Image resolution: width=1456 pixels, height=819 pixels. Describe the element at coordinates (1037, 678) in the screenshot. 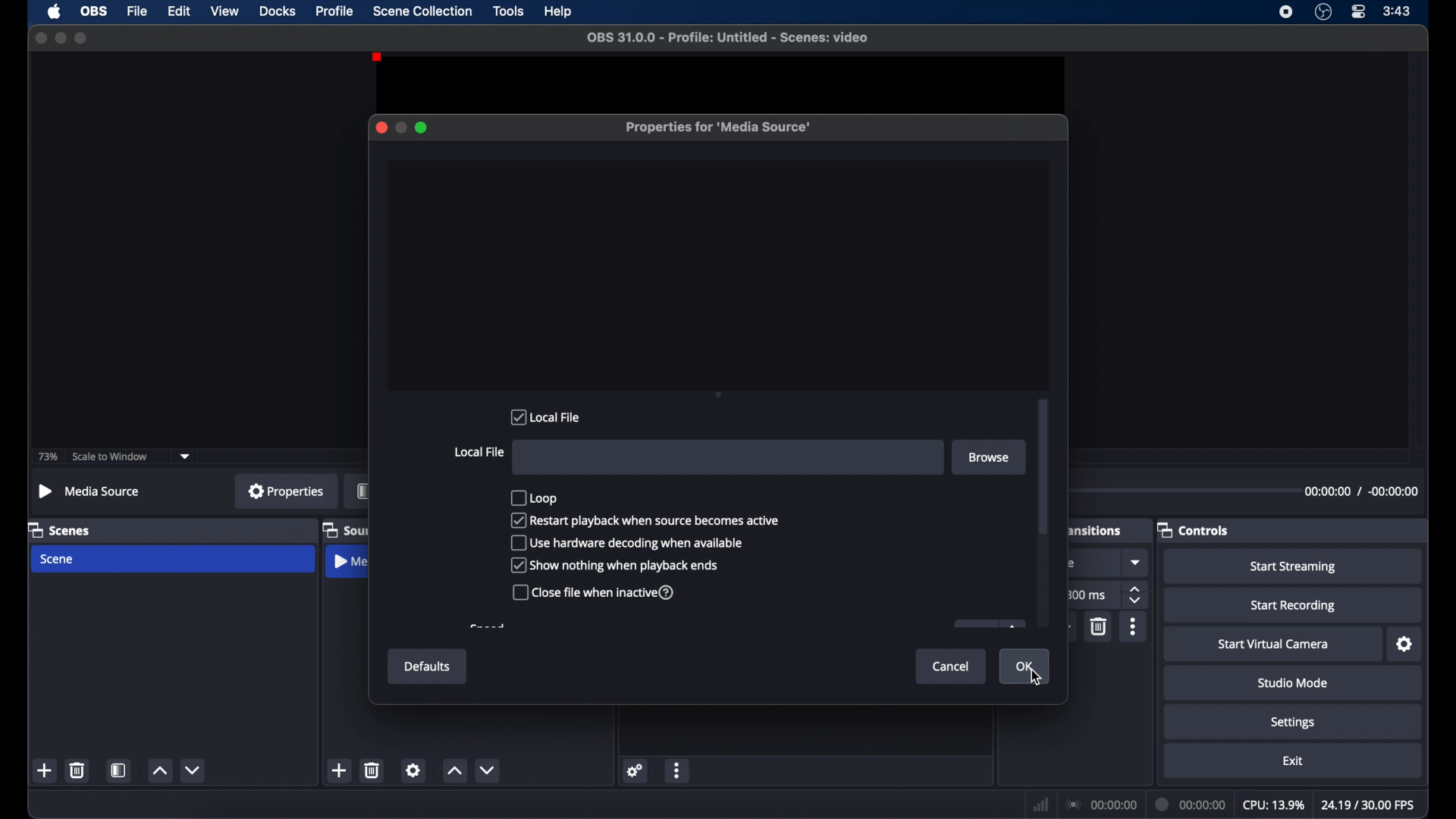

I see `cursor` at that location.